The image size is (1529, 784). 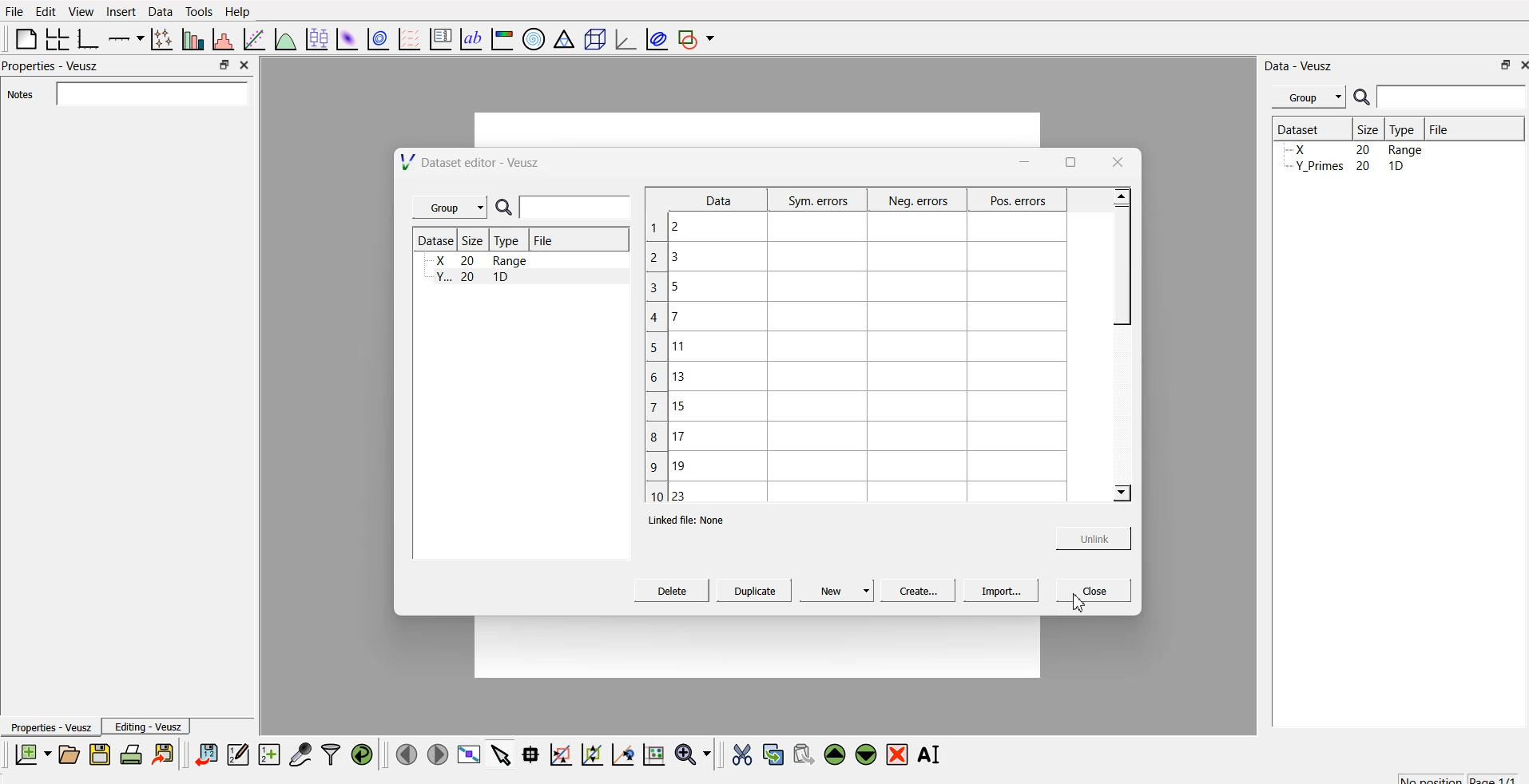 I want to click on read datapoint on graph, so click(x=529, y=754).